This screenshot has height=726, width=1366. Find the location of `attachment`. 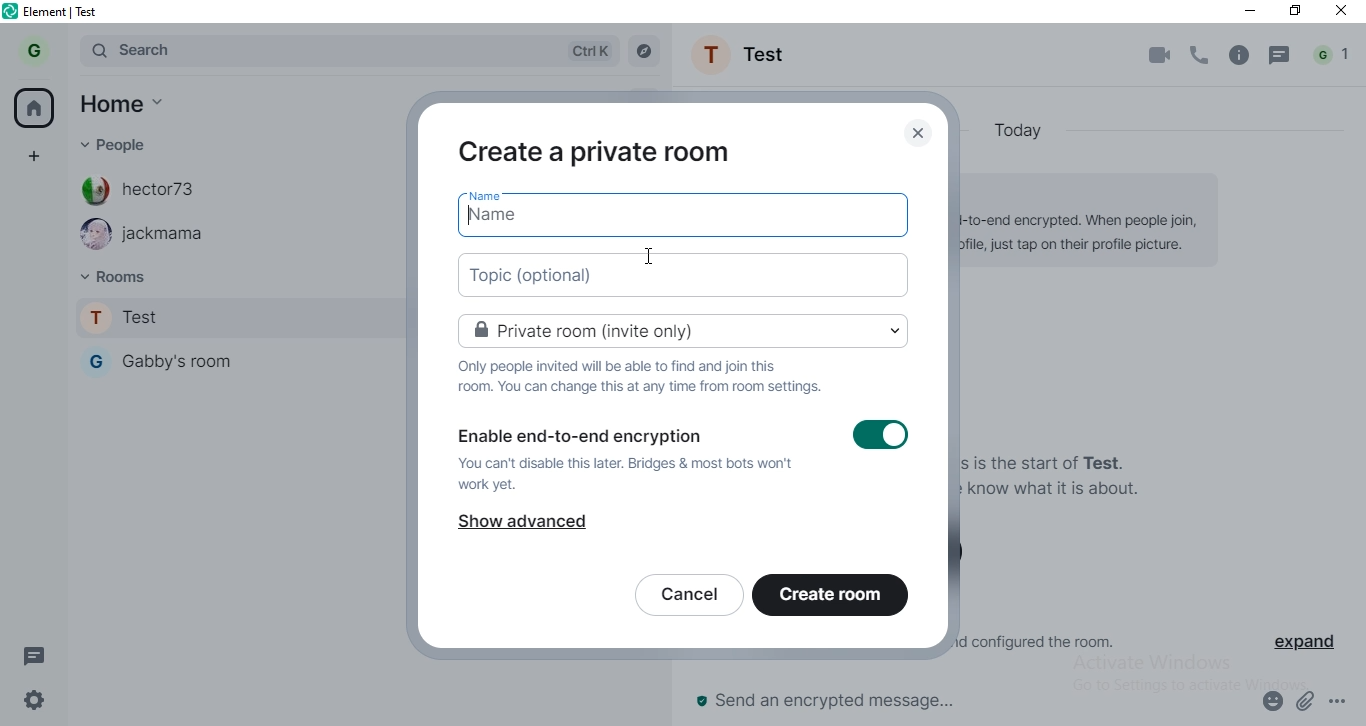

attachment is located at coordinates (1306, 700).